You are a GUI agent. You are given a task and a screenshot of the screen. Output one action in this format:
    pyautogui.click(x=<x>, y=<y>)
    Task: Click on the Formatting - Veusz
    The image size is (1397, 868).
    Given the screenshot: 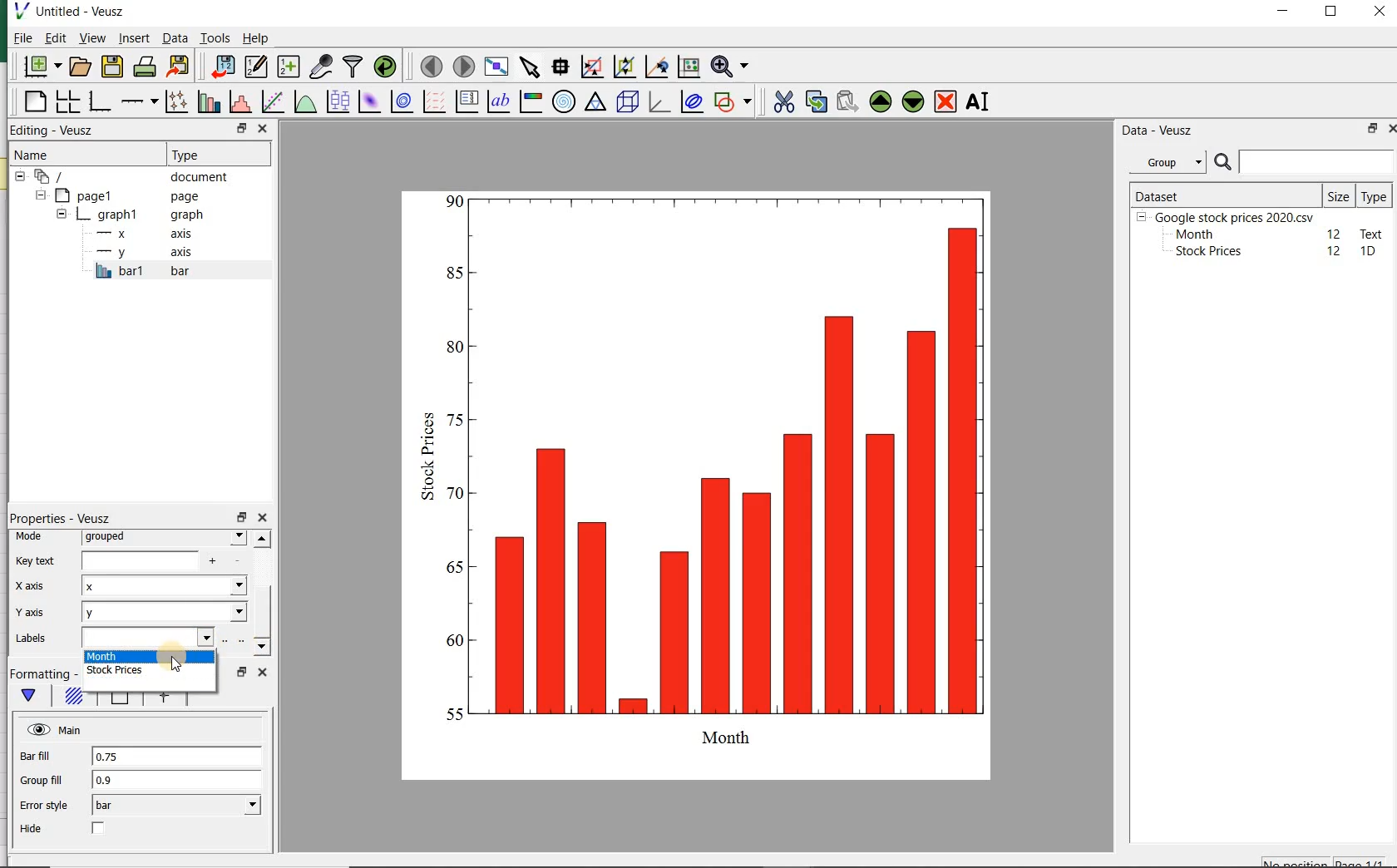 What is the action you would take?
    pyautogui.click(x=44, y=672)
    